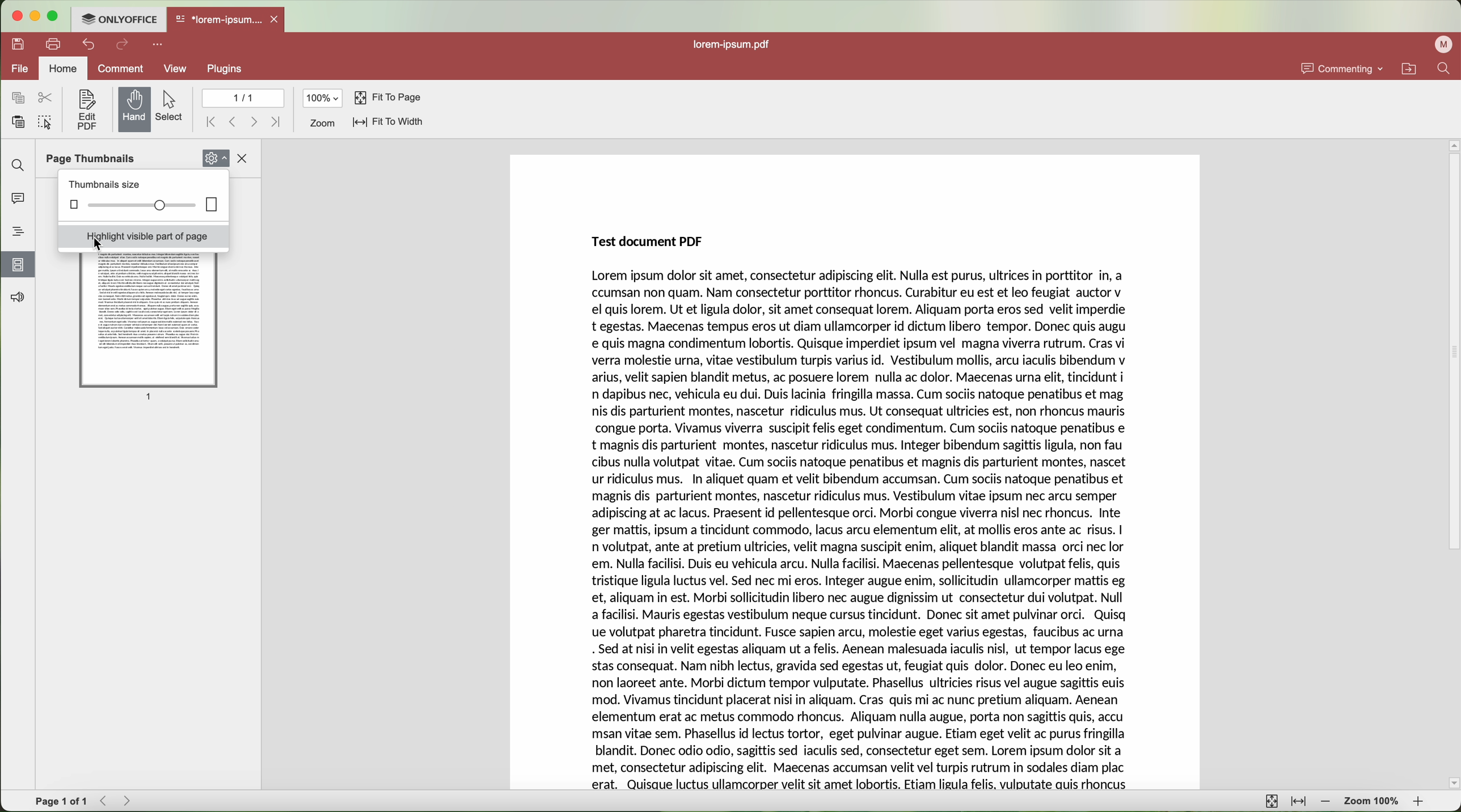 The width and height of the screenshot is (1461, 812). What do you see at coordinates (16, 45) in the screenshot?
I see `save` at bounding box center [16, 45].